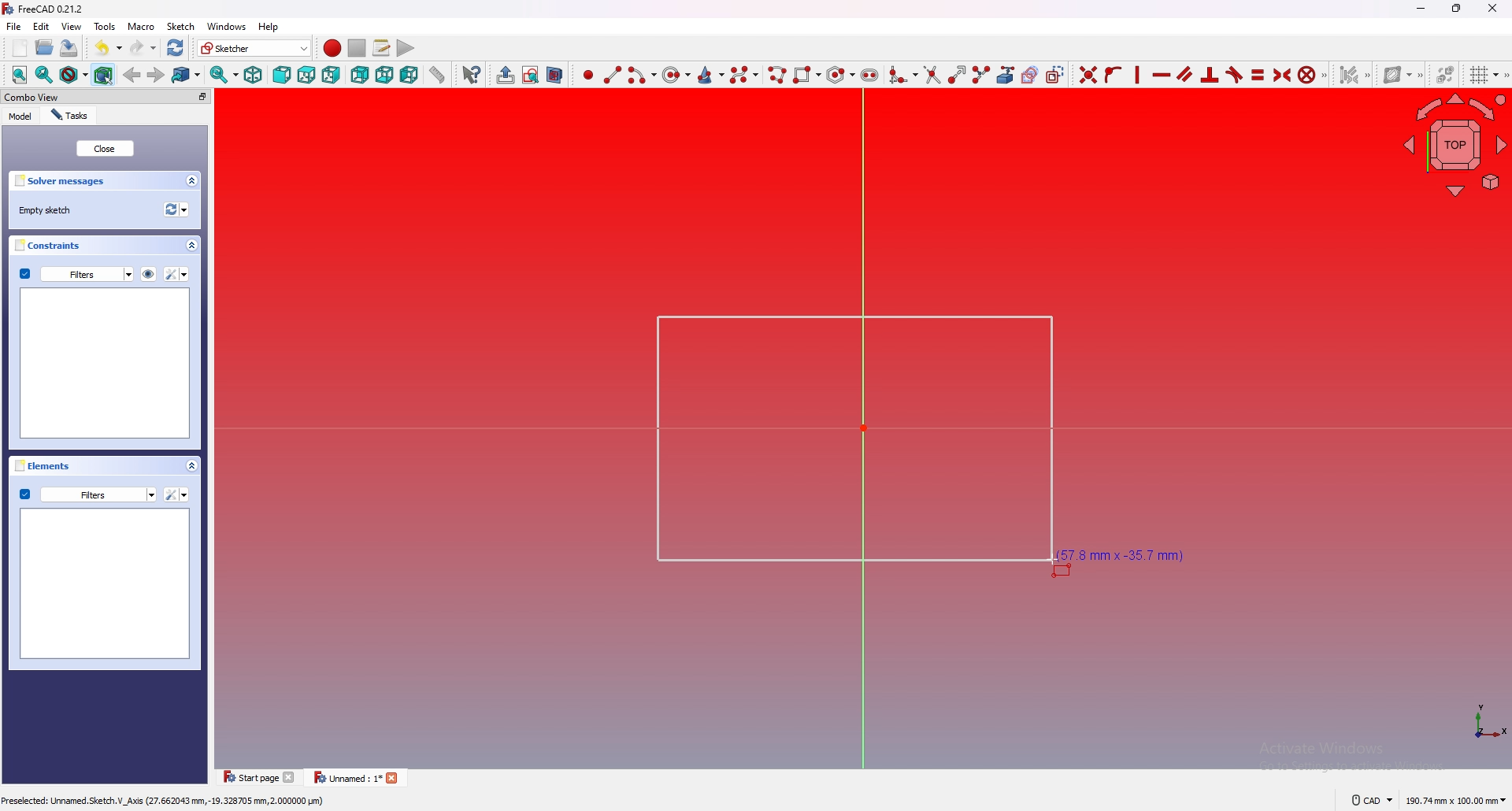 The height and width of the screenshot is (811, 1512). I want to click on hide, so click(148, 275).